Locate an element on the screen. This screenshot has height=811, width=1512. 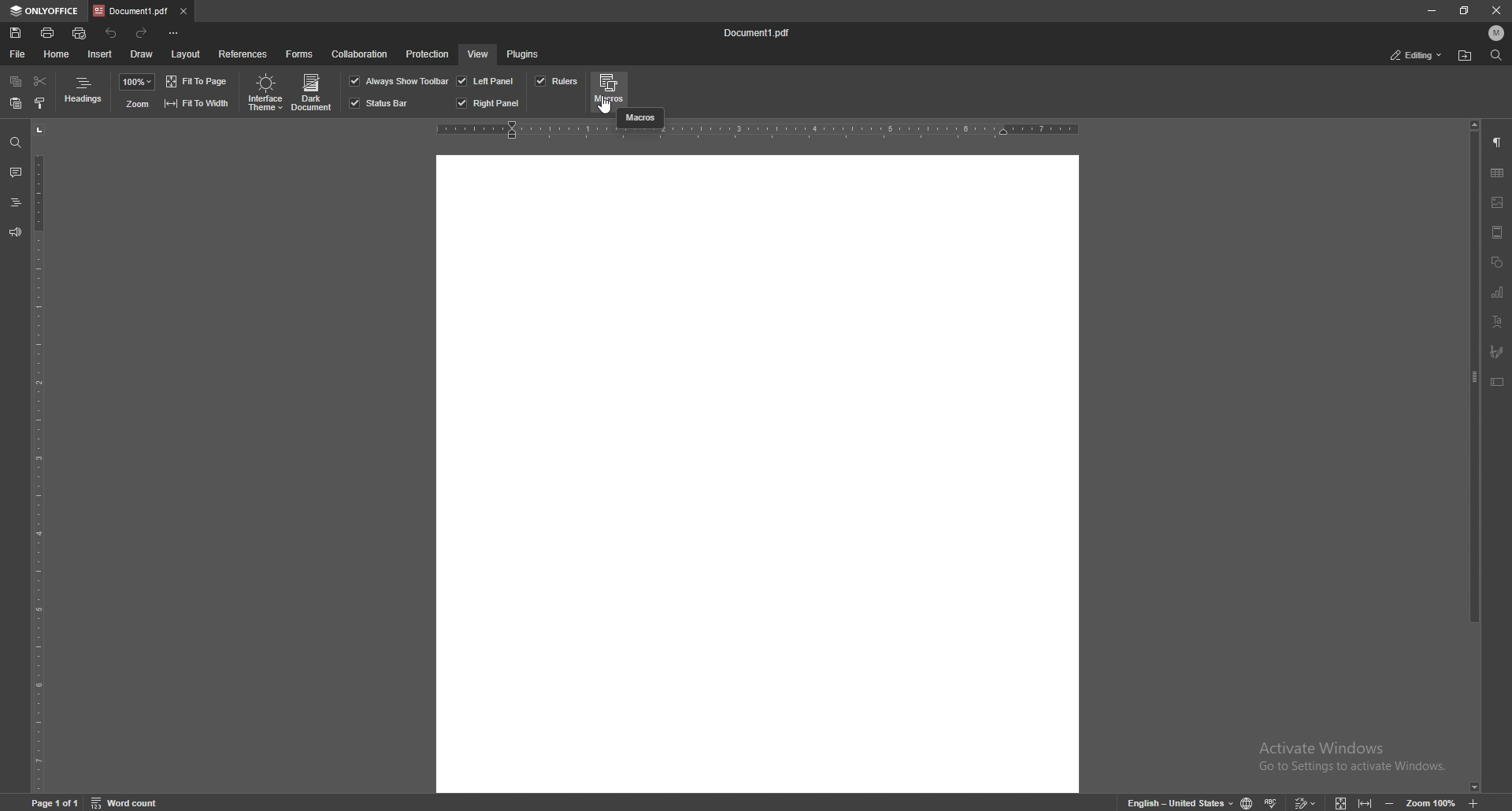
print is located at coordinates (48, 31).